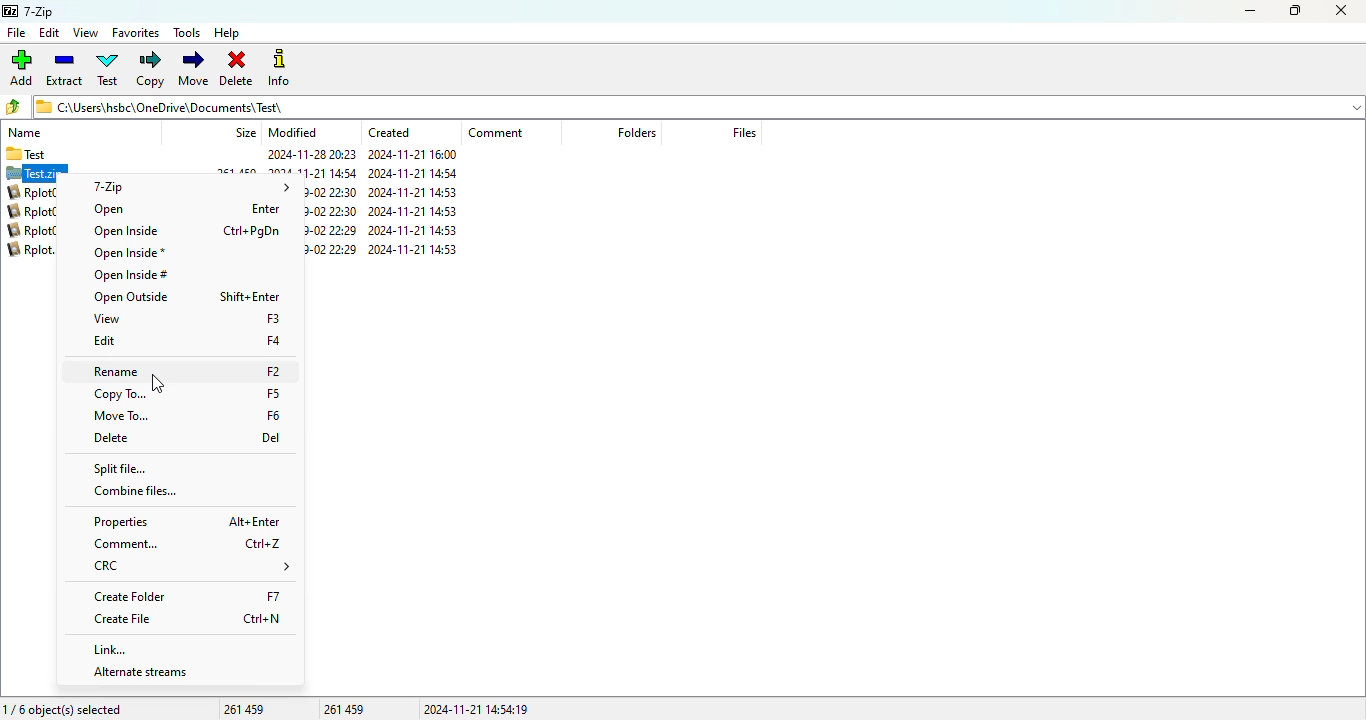 The height and width of the screenshot is (720, 1366). I want to click on comment, so click(124, 544).